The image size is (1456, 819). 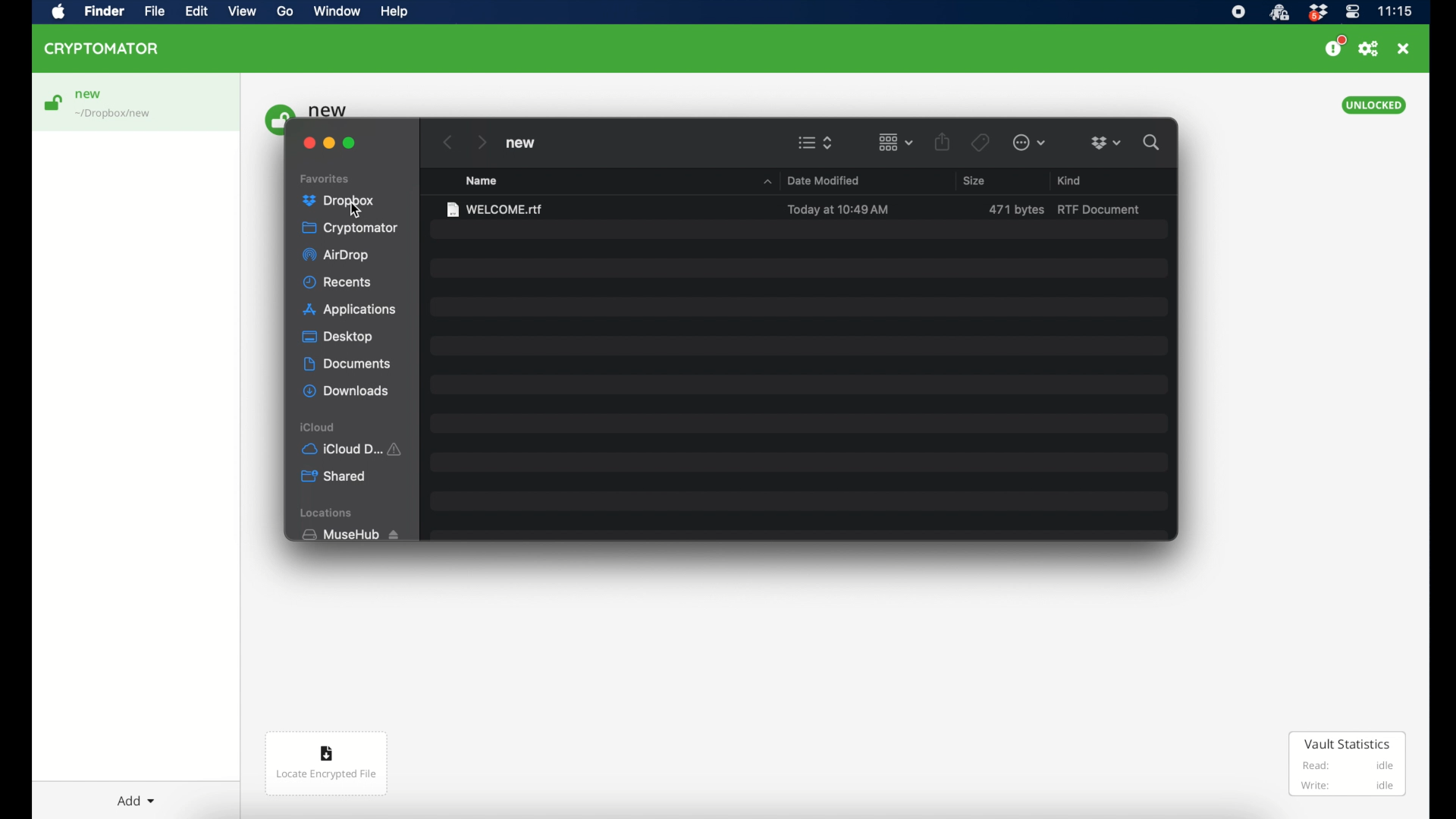 I want to click on unlock, so click(x=52, y=102).